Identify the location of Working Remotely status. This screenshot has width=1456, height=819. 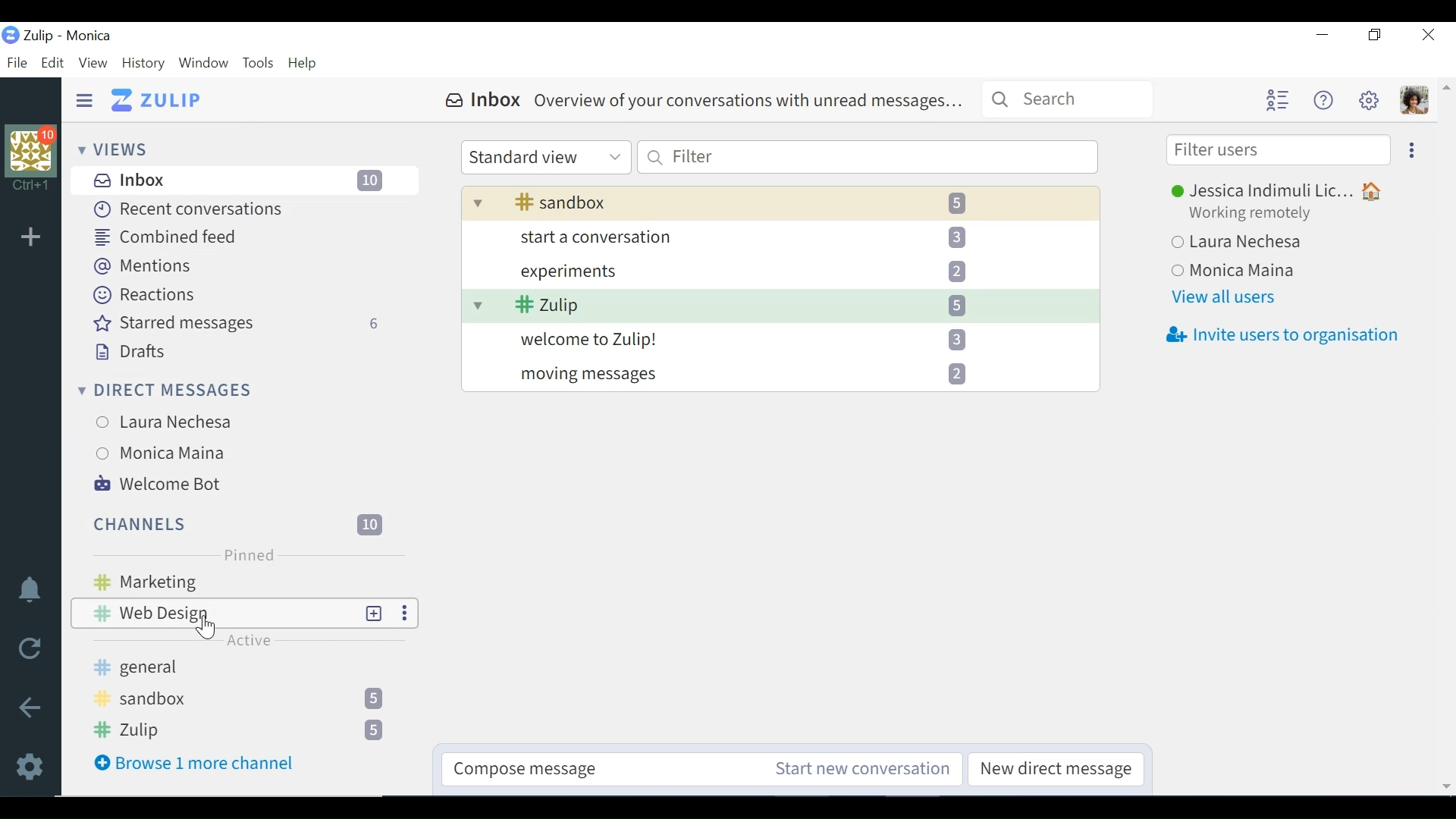
(1254, 214).